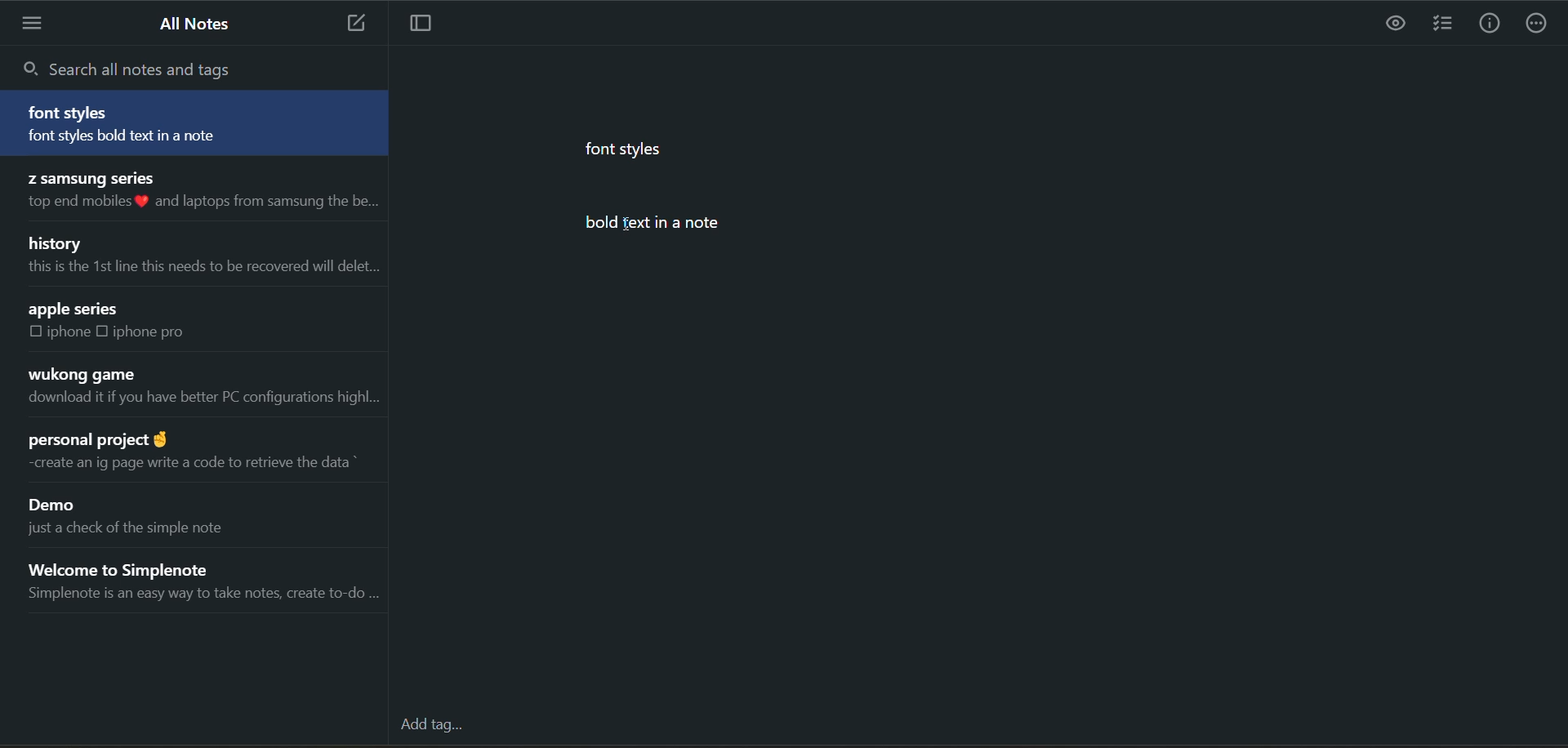 The width and height of the screenshot is (1568, 748). I want to click on add tag, so click(443, 726).